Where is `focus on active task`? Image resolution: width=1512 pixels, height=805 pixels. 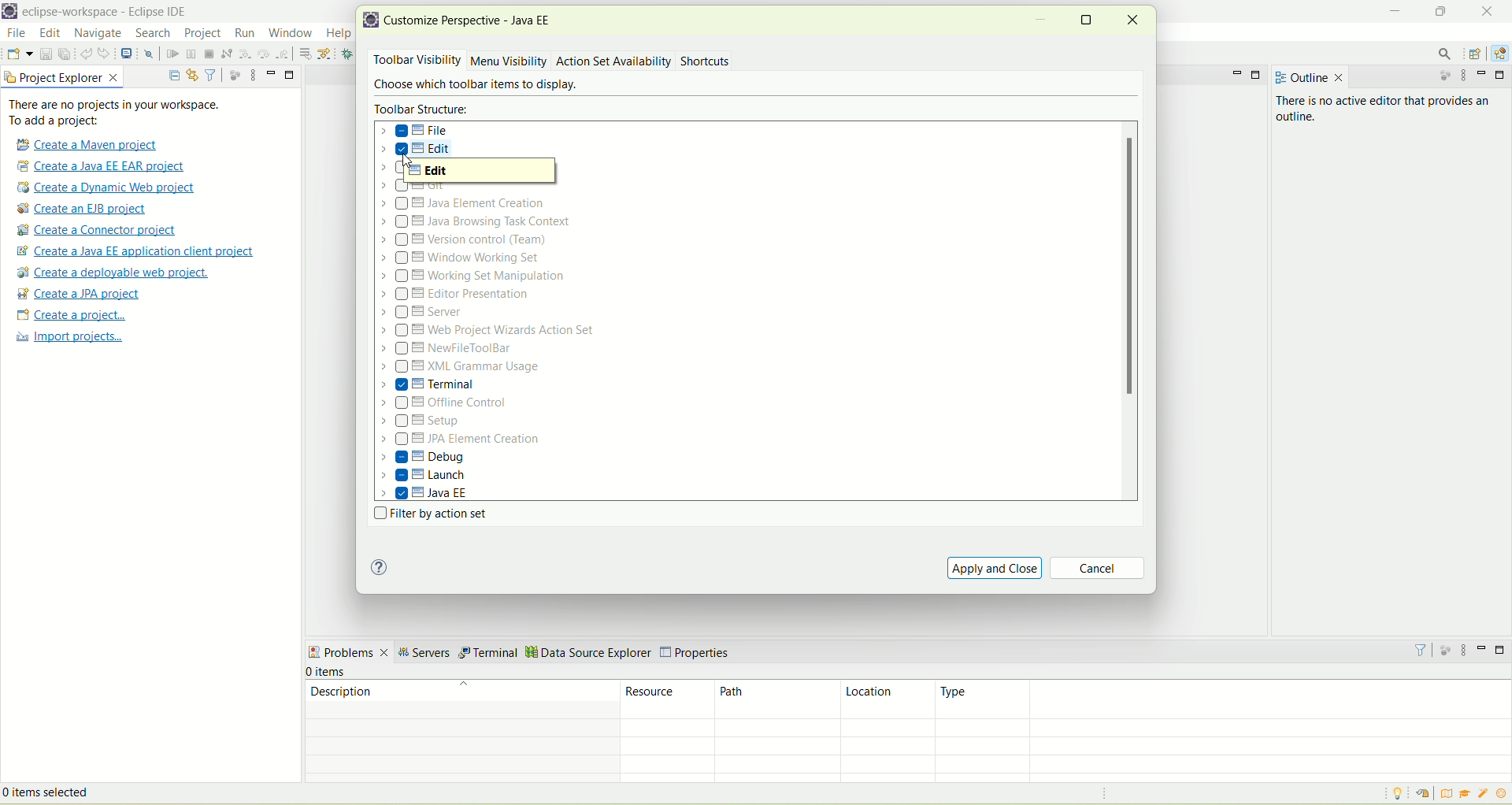 focus on active task is located at coordinates (1447, 651).